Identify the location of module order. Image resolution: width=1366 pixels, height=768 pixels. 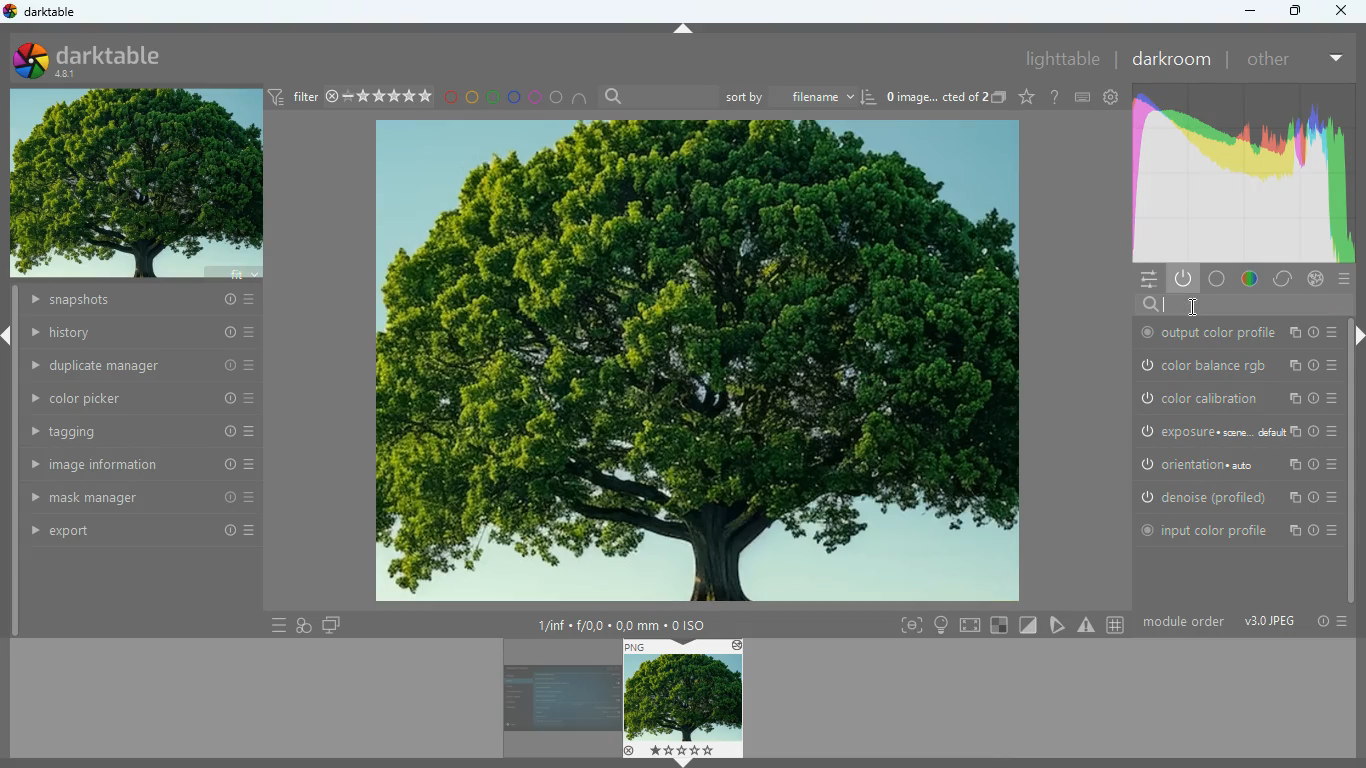
(1184, 623).